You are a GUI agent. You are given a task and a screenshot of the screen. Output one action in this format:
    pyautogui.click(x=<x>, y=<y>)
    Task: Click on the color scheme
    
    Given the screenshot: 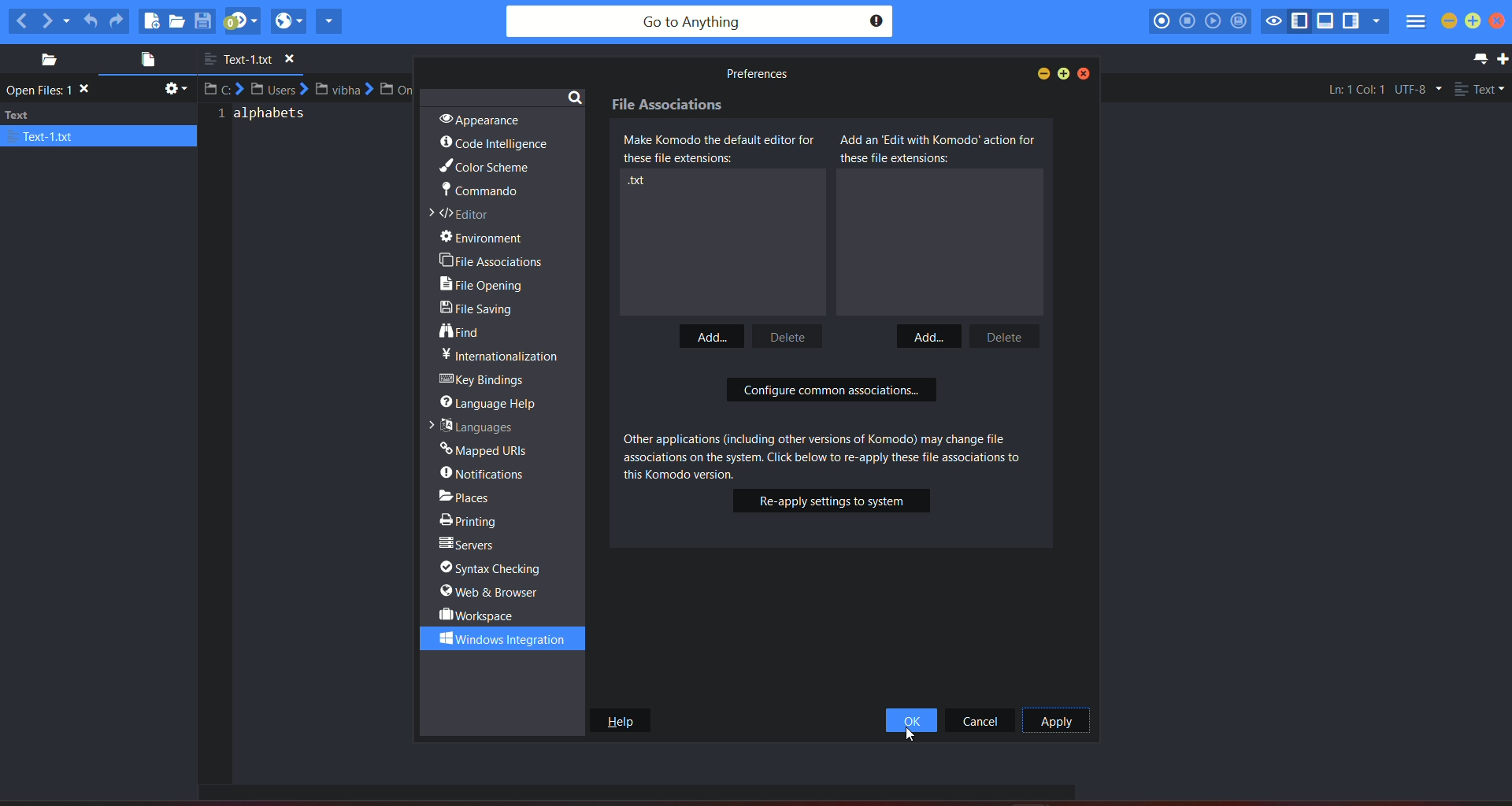 What is the action you would take?
    pyautogui.click(x=483, y=168)
    